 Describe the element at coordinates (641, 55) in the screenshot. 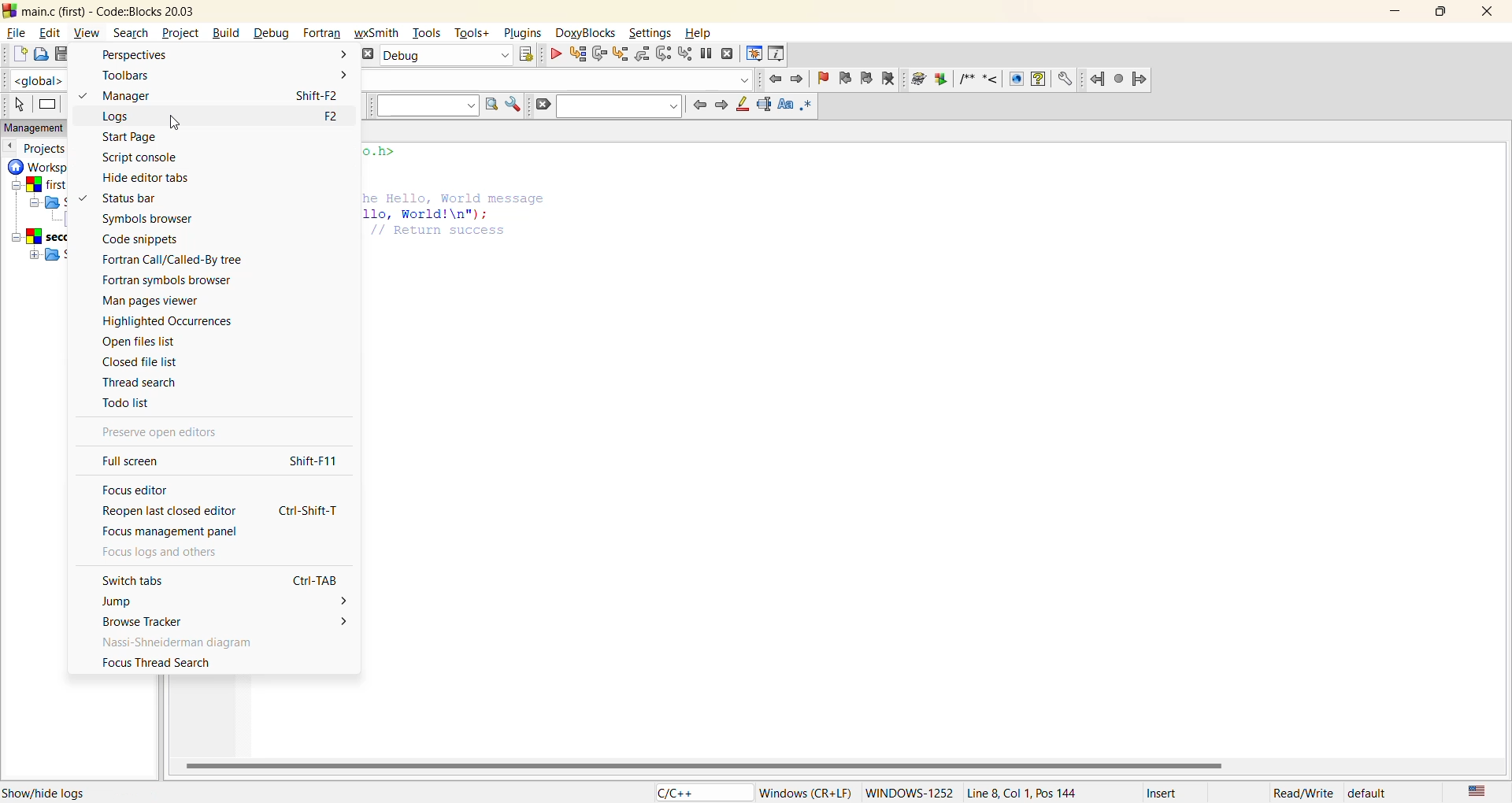

I see `step out` at that location.